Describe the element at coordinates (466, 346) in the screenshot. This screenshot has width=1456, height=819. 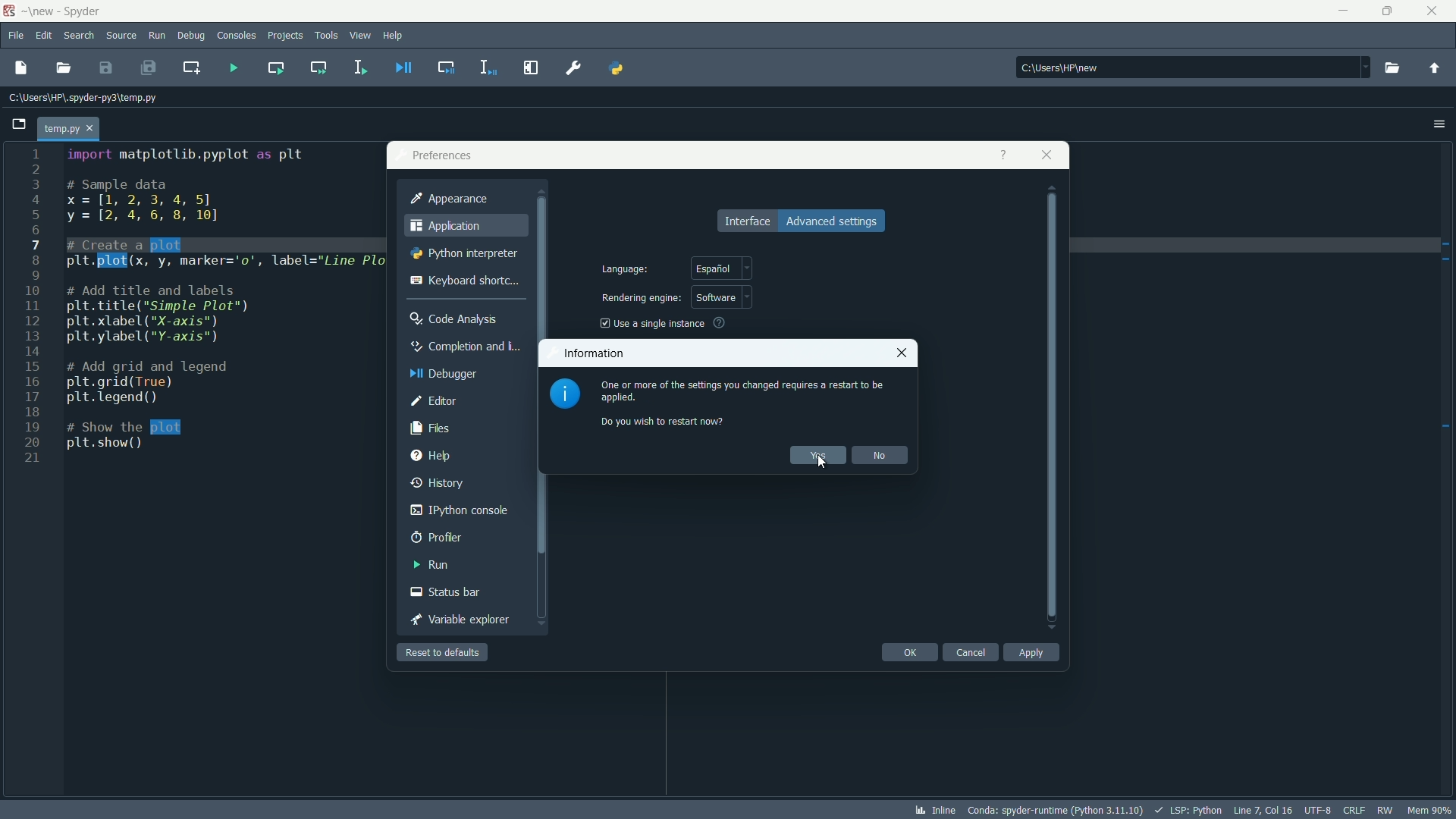
I see `completion and linting` at that location.